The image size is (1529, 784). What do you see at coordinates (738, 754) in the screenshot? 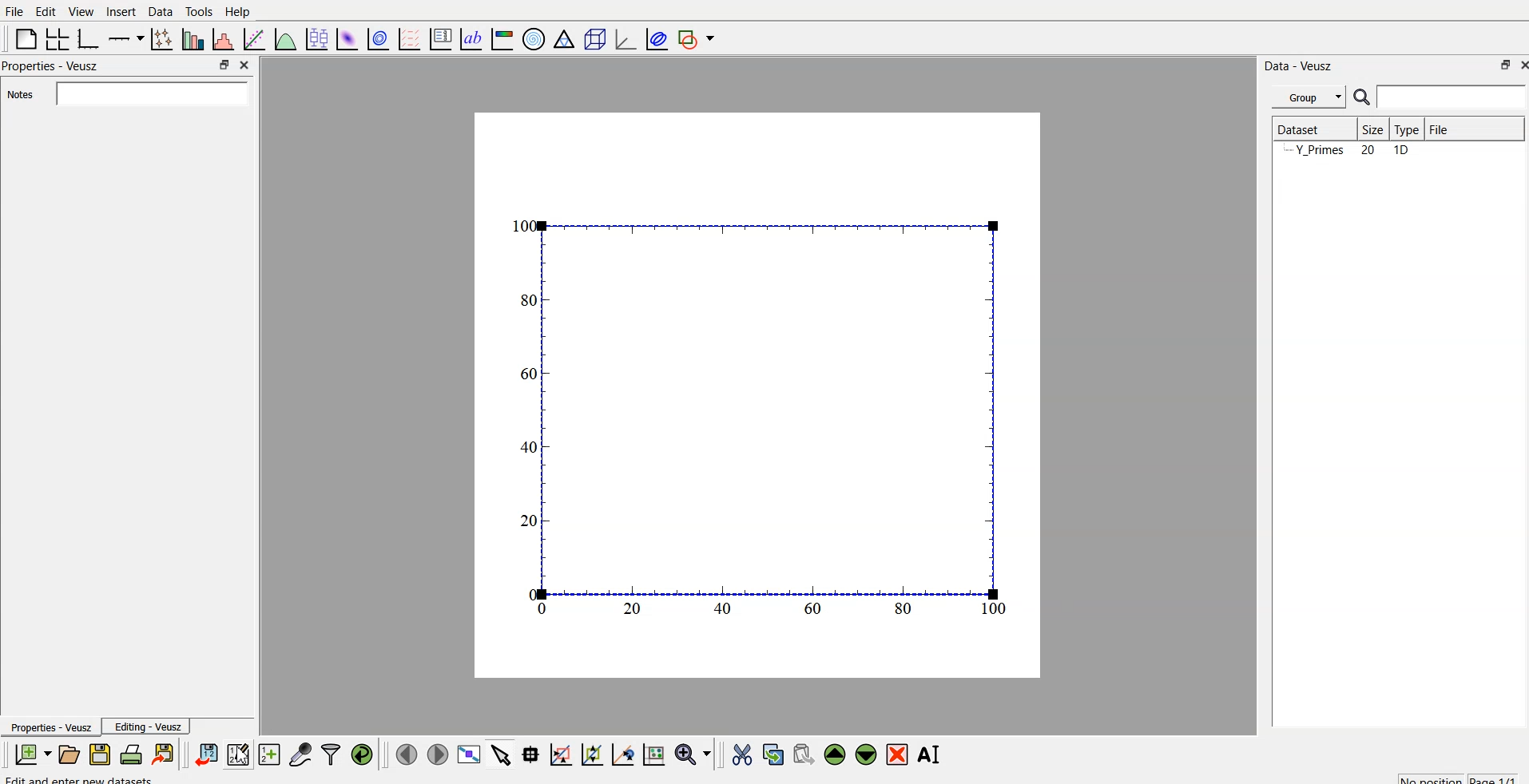
I see `cut the widget` at bounding box center [738, 754].